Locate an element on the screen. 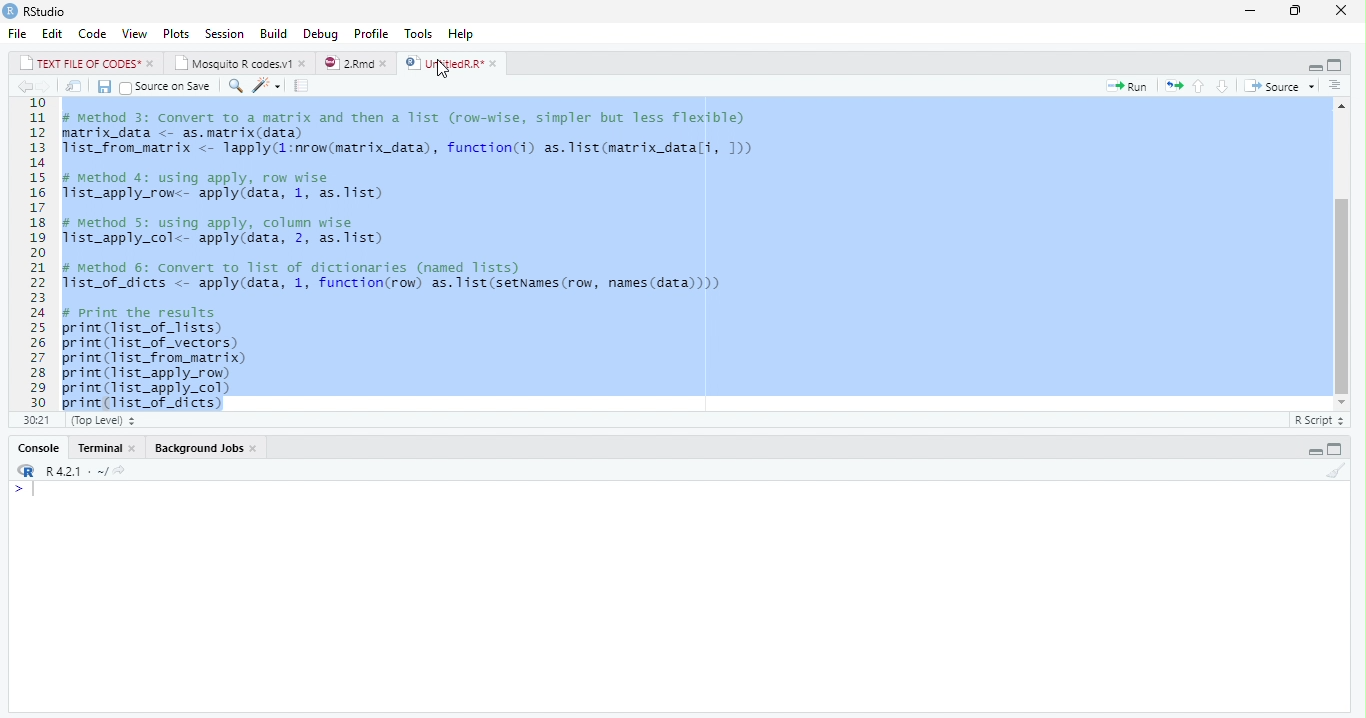 This screenshot has width=1366, height=718. Maximize is located at coordinates (1296, 11).